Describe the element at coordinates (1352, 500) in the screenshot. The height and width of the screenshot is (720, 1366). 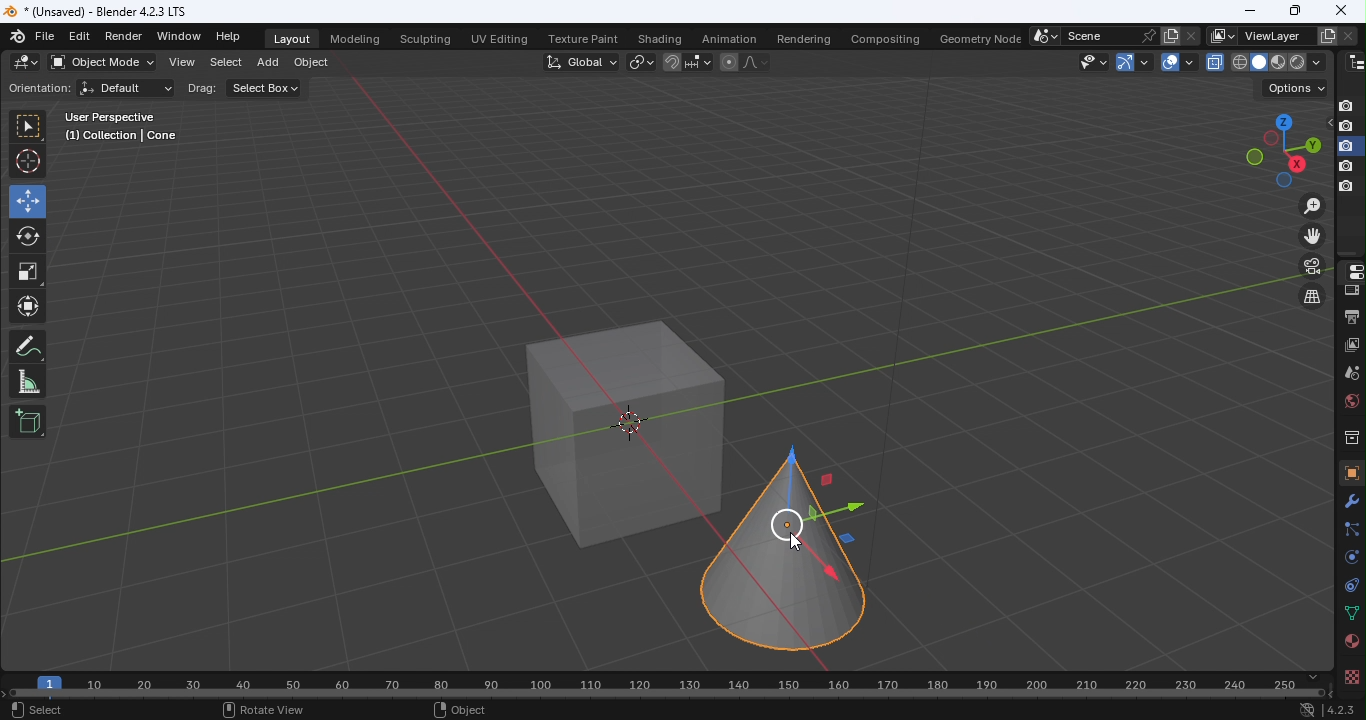
I see `Modifiers` at that location.